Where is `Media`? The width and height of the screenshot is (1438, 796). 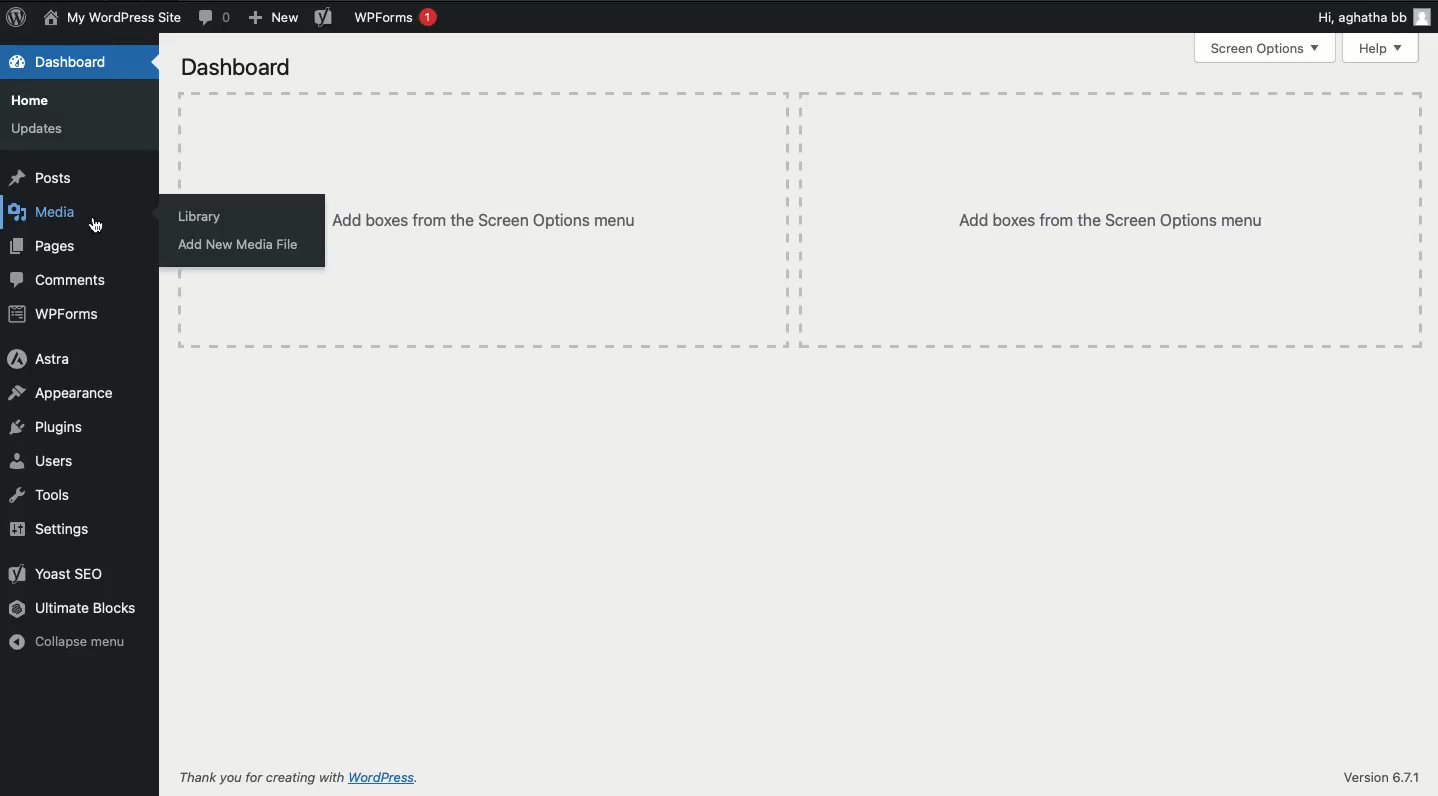
Media is located at coordinates (49, 213).